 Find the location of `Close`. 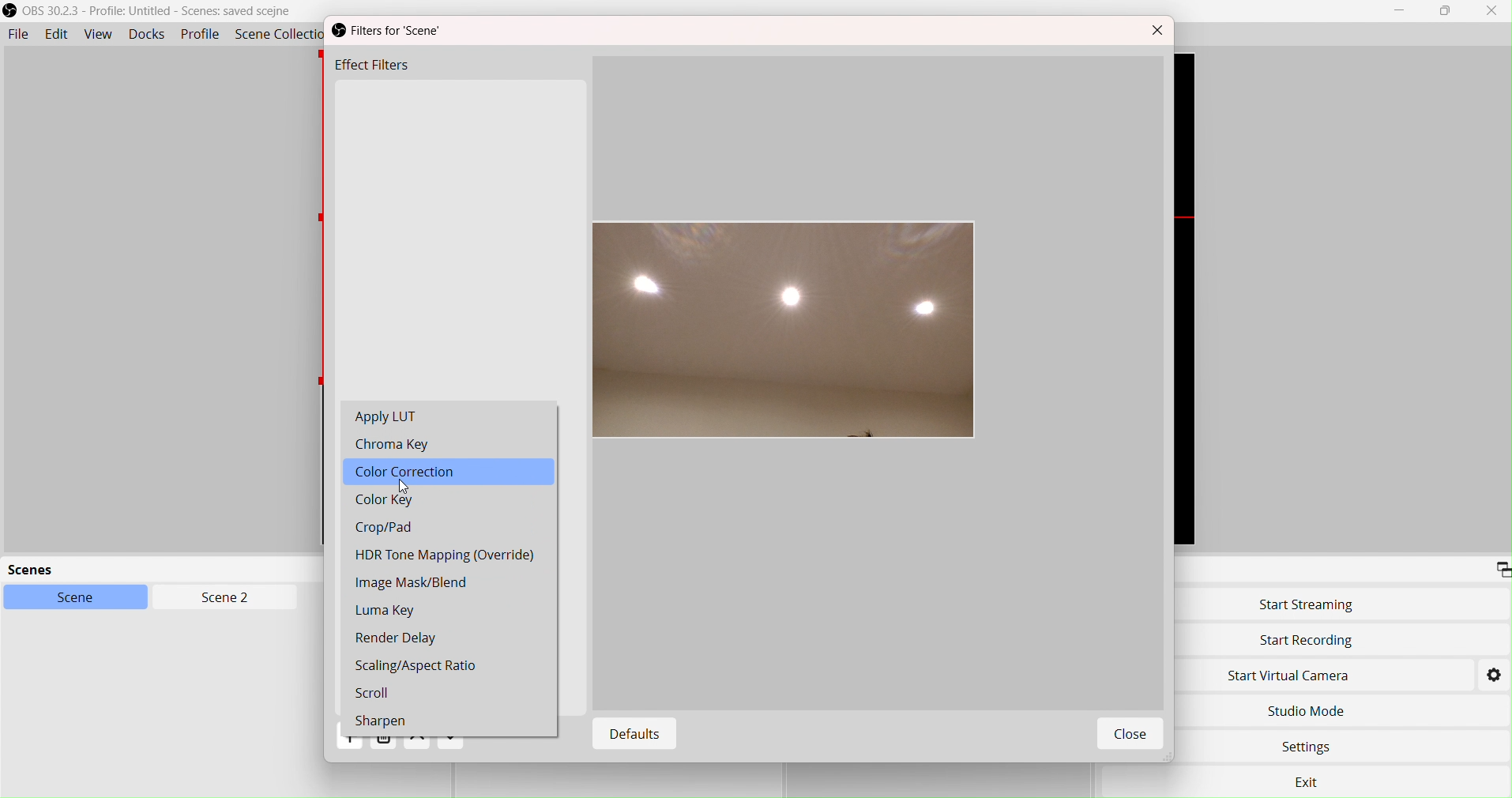

Close is located at coordinates (1161, 31).